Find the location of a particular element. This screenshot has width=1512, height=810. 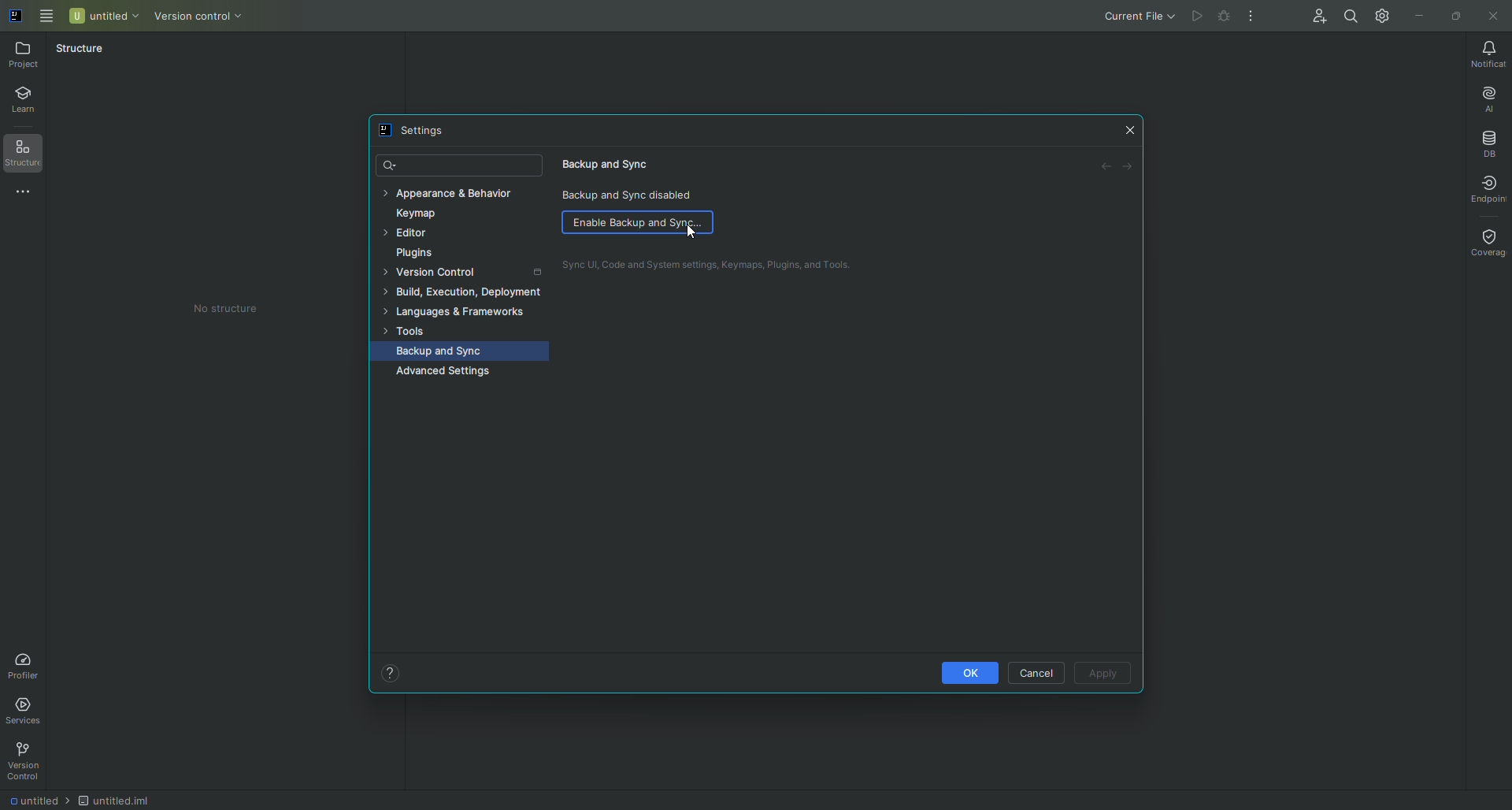

Learn is located at coordinates (31, 102).